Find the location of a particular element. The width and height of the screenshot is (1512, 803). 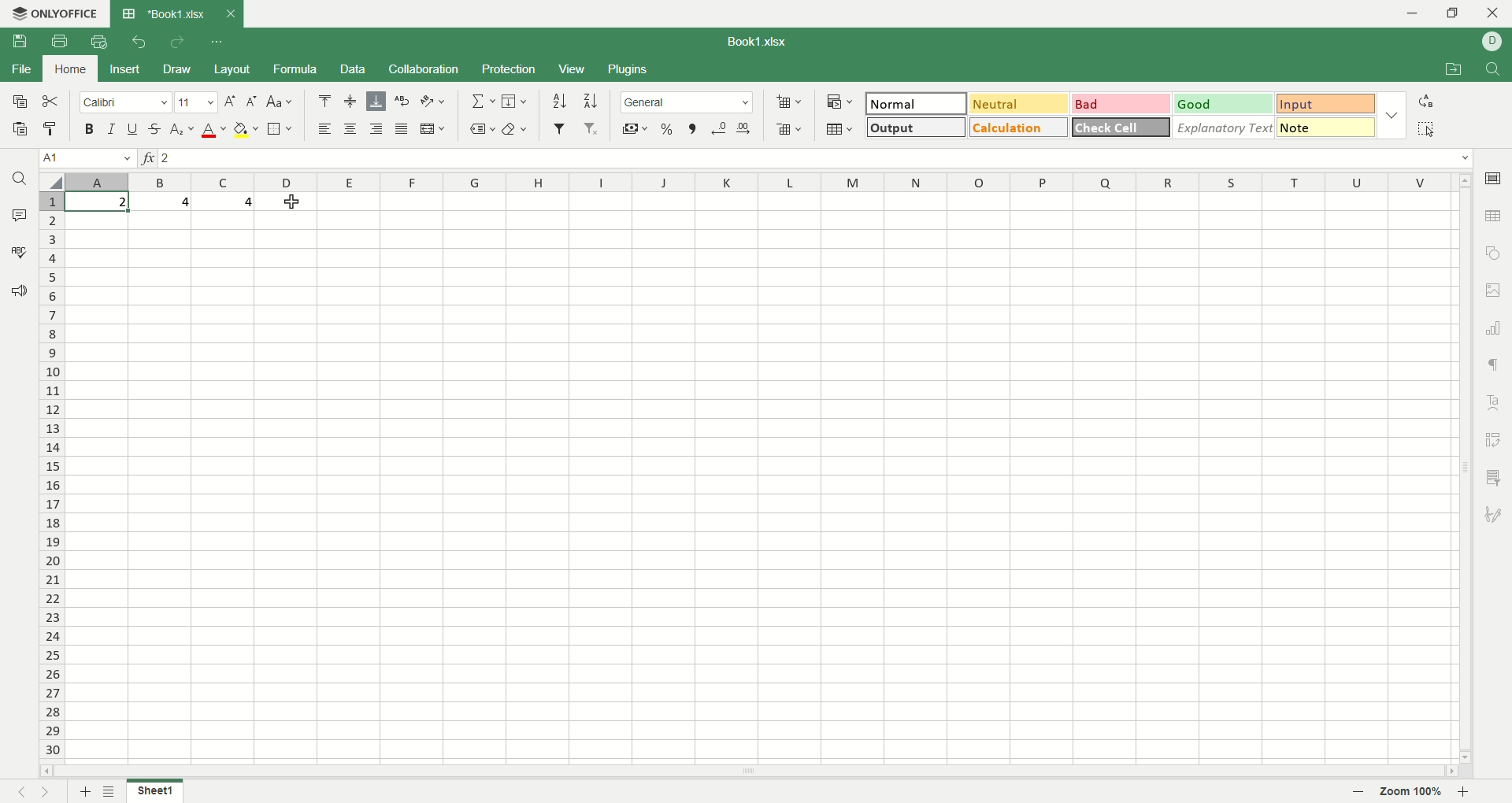

collaboration is located at coordinates (426, 68).